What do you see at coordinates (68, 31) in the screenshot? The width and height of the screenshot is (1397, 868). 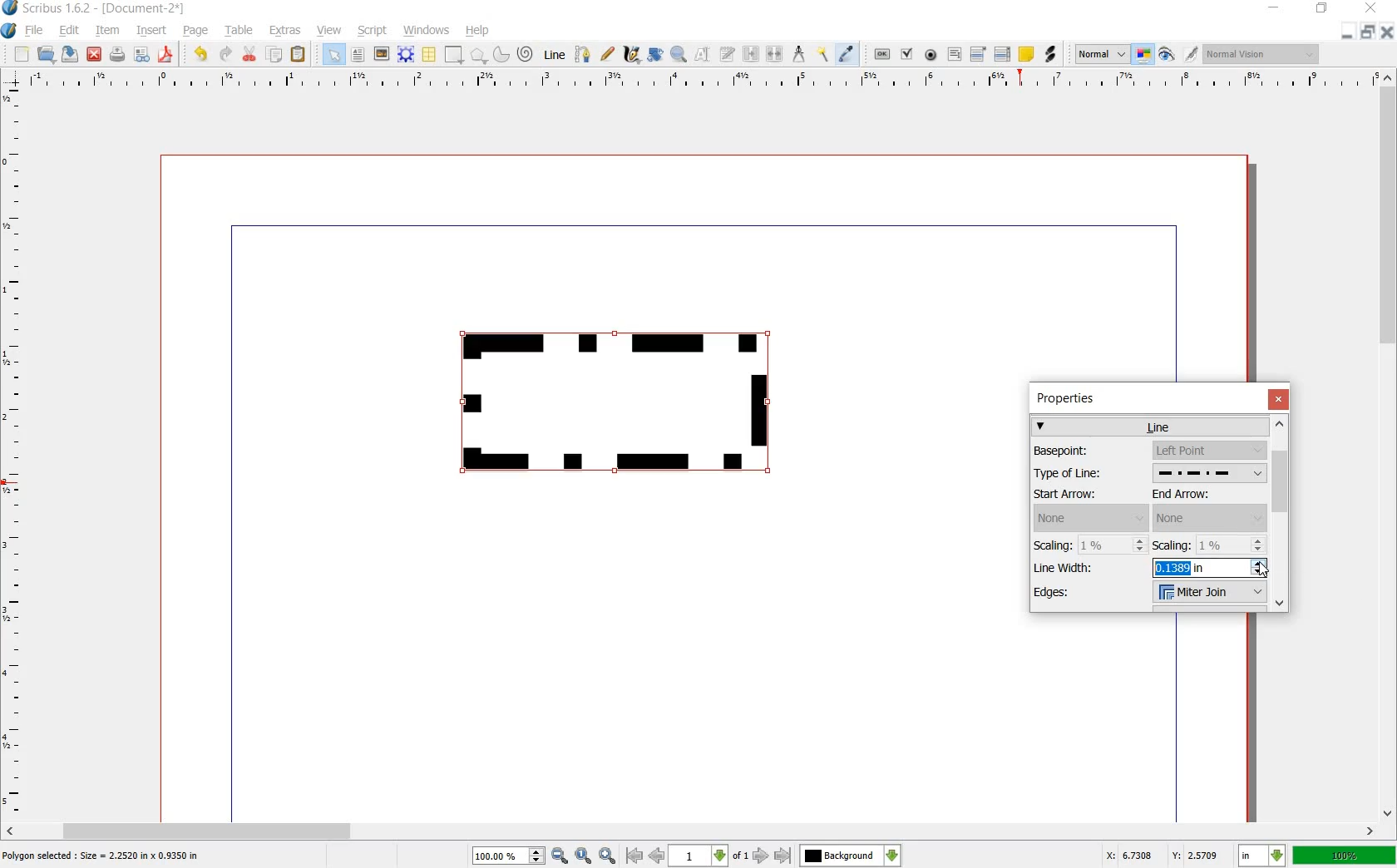 I see `EDIT` at bounding box center [68, 31].